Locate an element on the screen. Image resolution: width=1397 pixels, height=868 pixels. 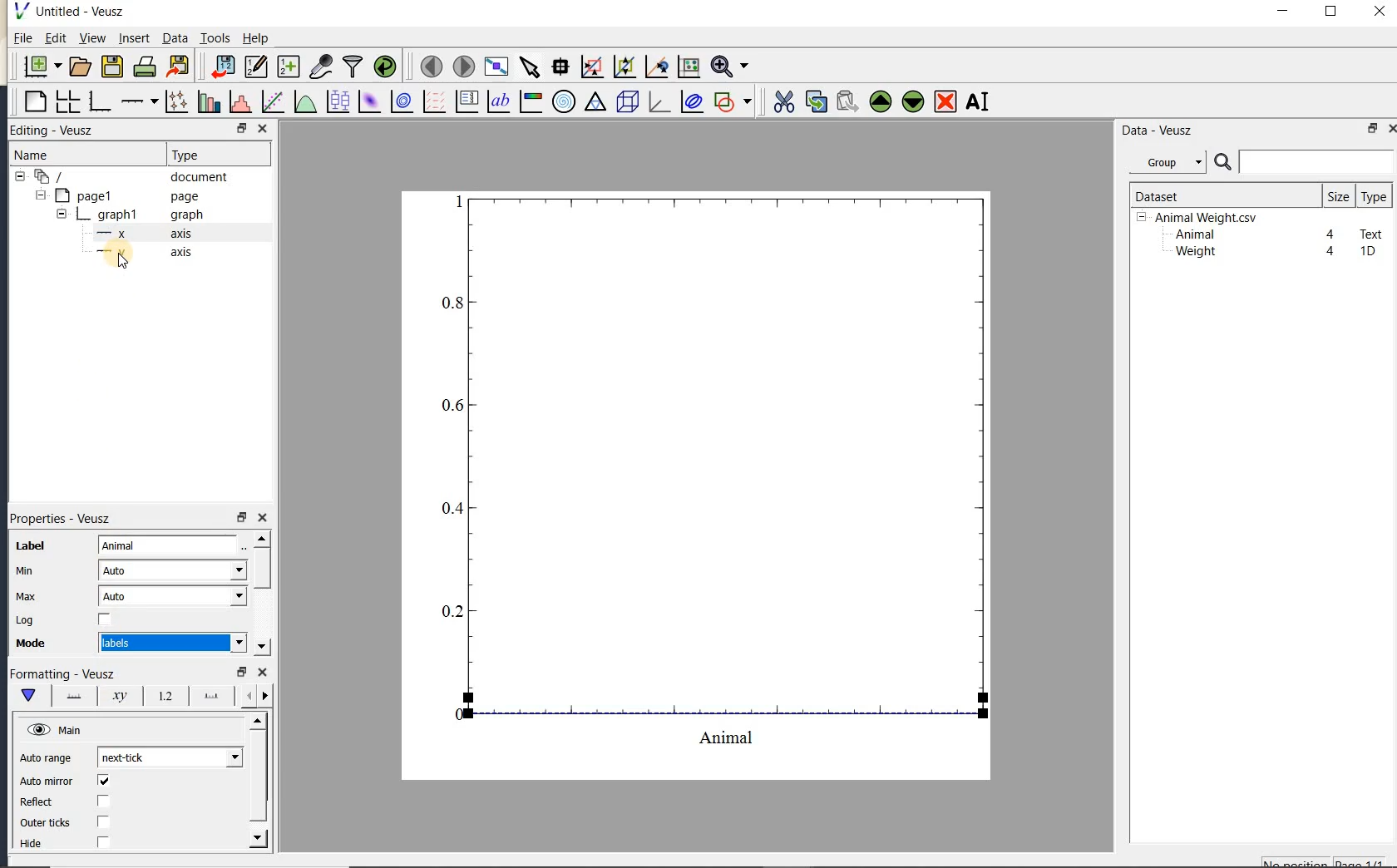
Untitled-Veusz is located at coordinates (74, 12).